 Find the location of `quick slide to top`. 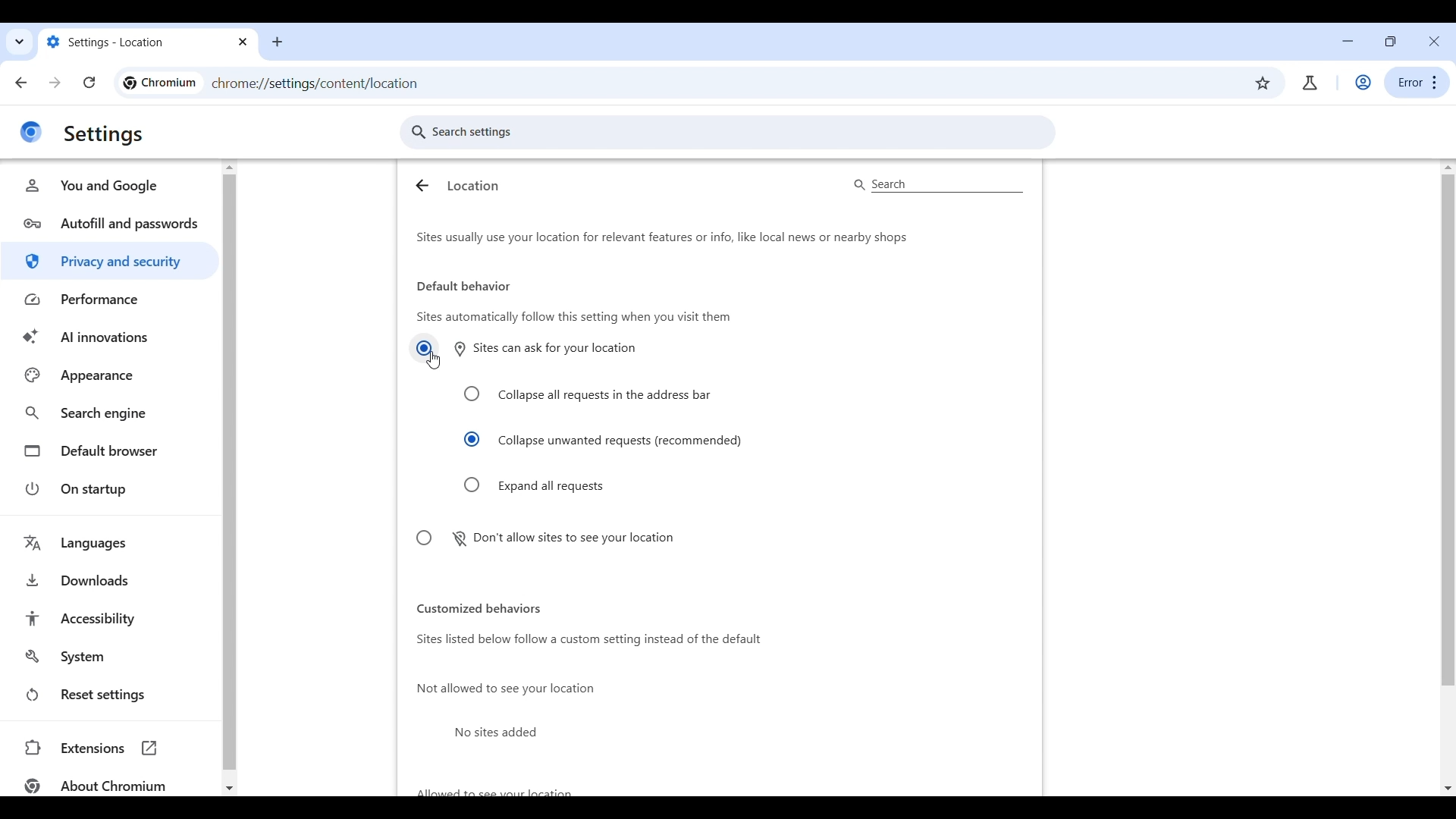

quick slide to top is located at coordinates (229, 165).